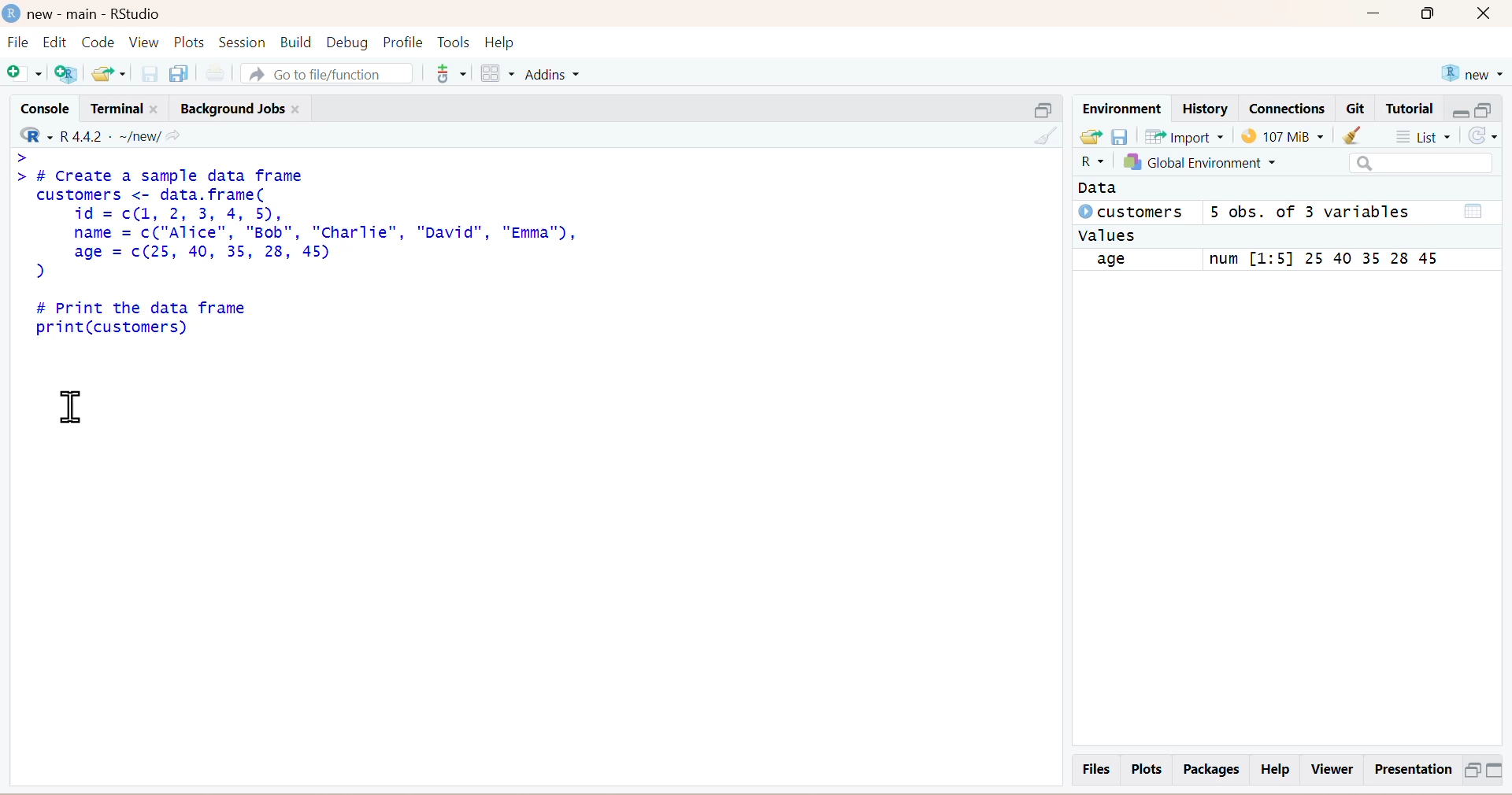 The image size is (1512, 795). I want to click on Viewer, so click(1332, 769).